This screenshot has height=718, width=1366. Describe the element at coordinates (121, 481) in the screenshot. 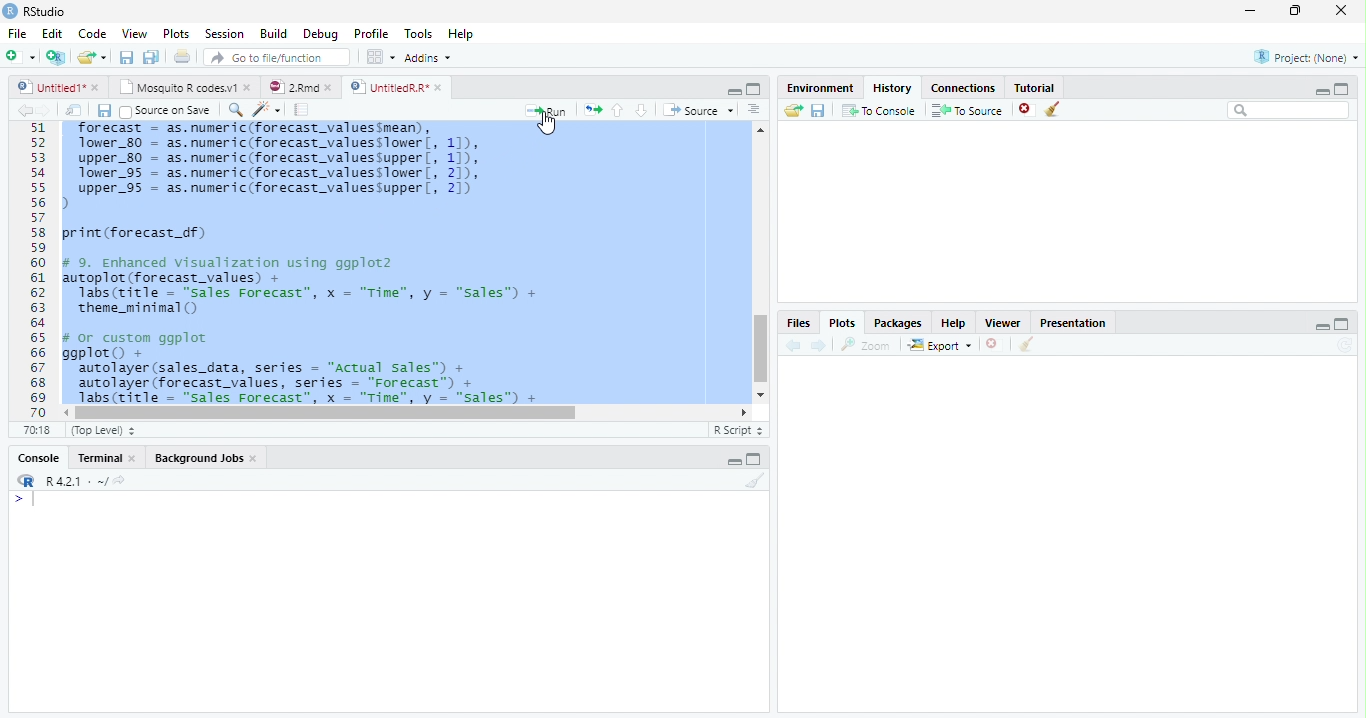

I see `View current directory` at that location.